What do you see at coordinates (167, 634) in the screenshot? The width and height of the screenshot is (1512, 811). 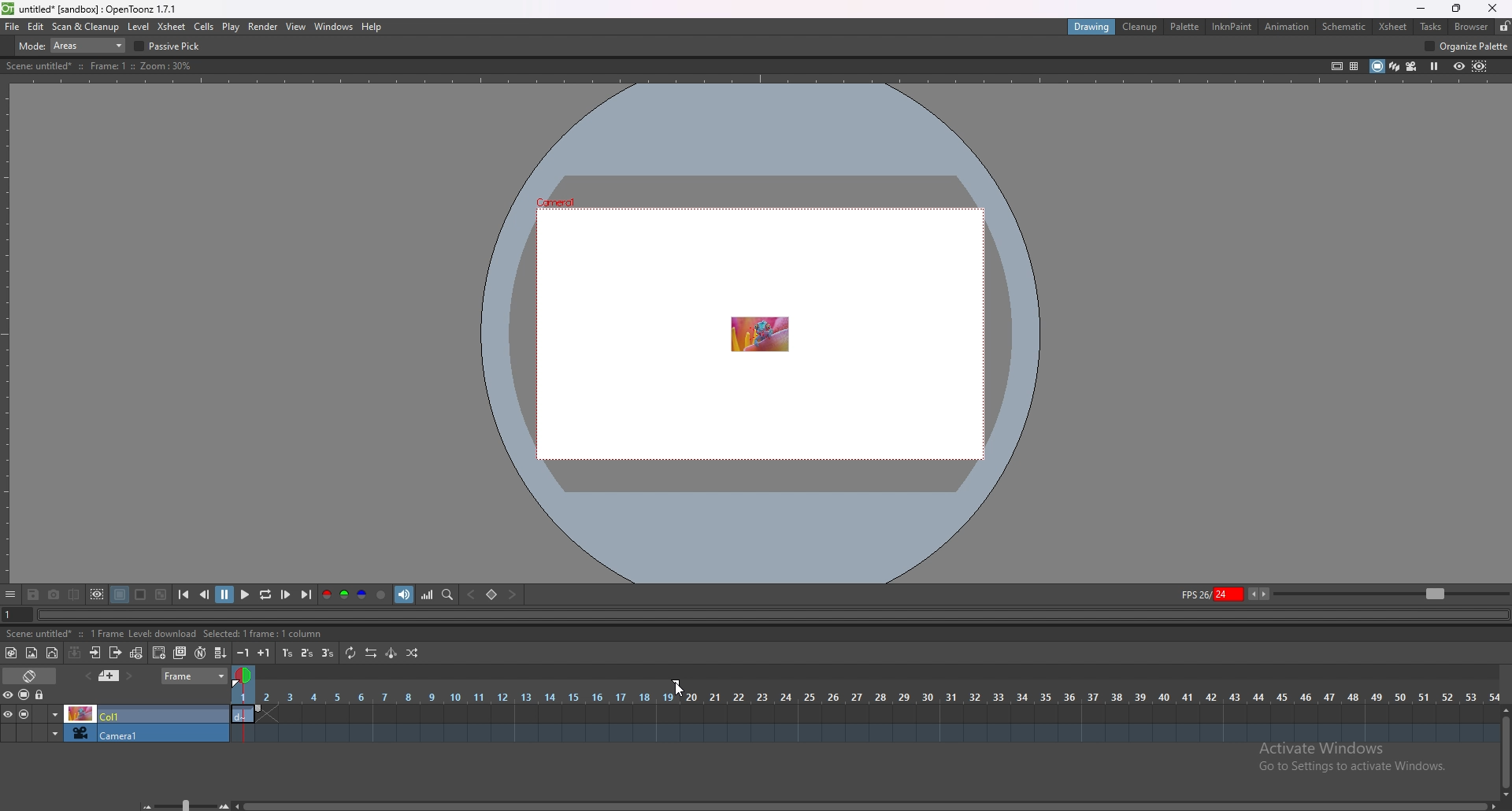 I see `description` at bounding box center [167, 634].